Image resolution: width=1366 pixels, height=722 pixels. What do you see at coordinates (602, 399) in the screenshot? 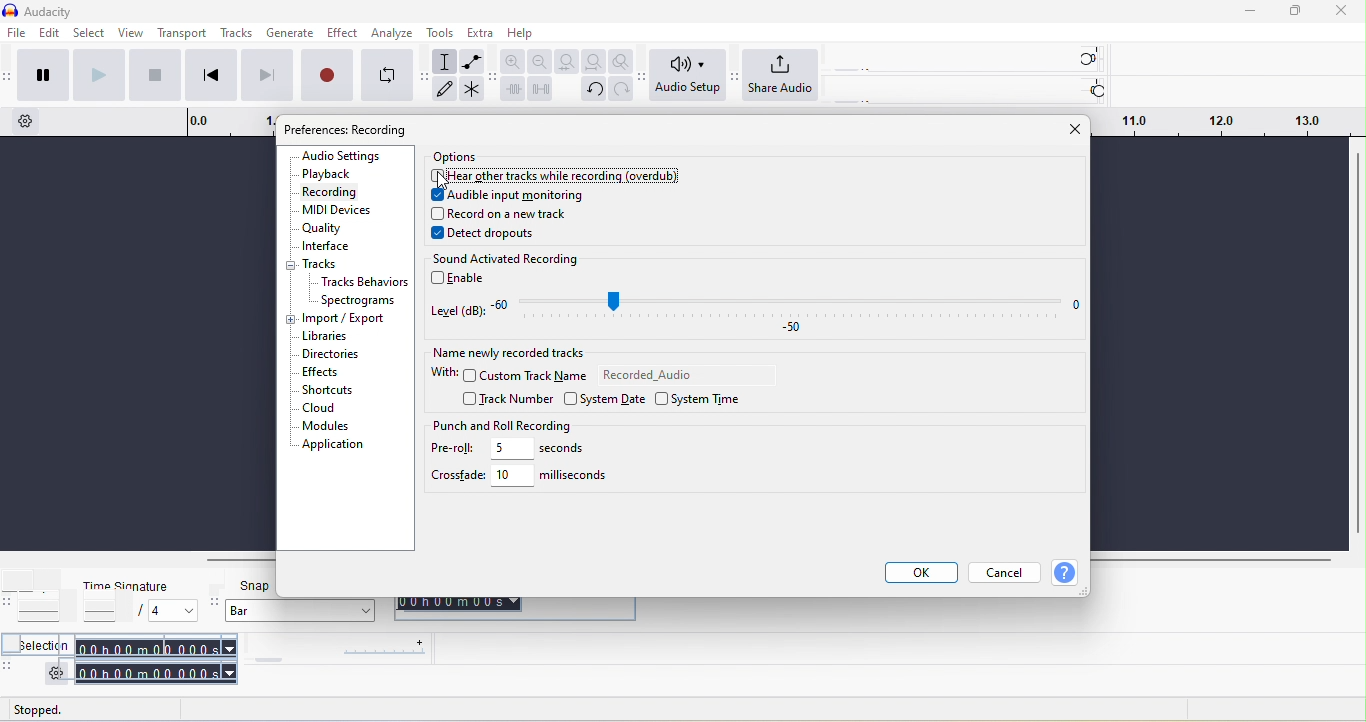
I see `system date` at bounding box center [602, 399].